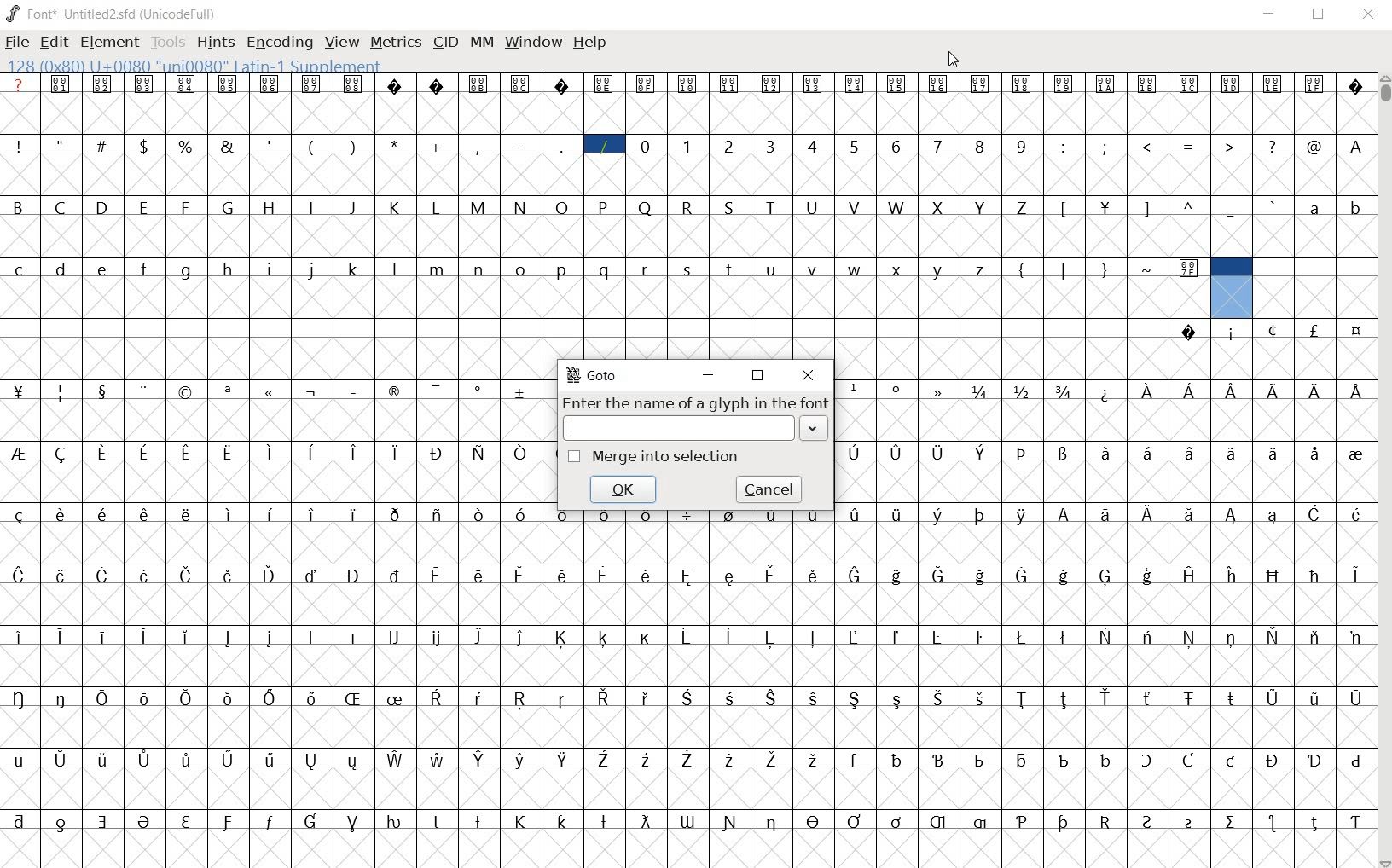  I want to click on Symbol, so click(563, 637).